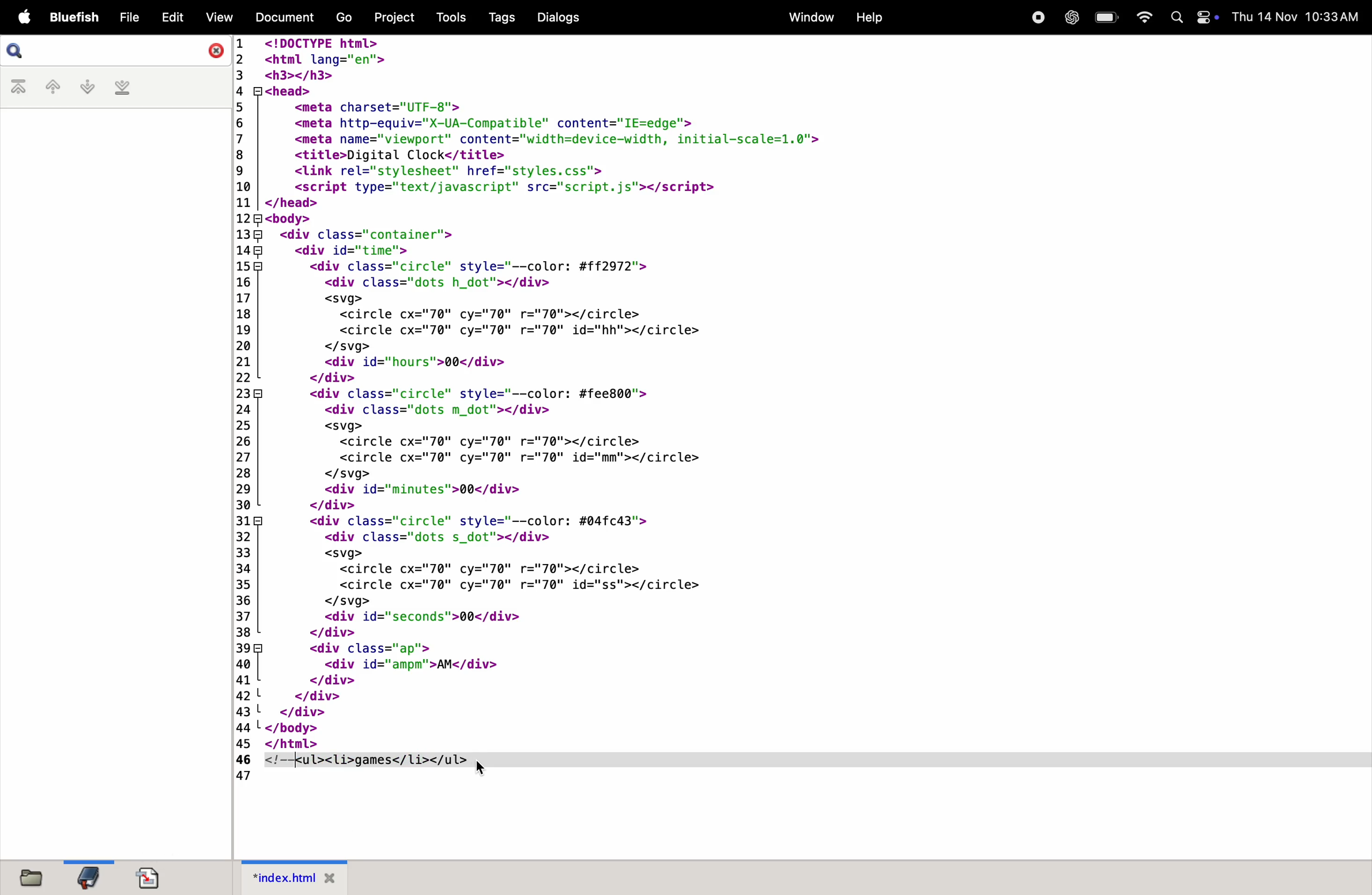  I want to click on dialogs, so click(559, 18).